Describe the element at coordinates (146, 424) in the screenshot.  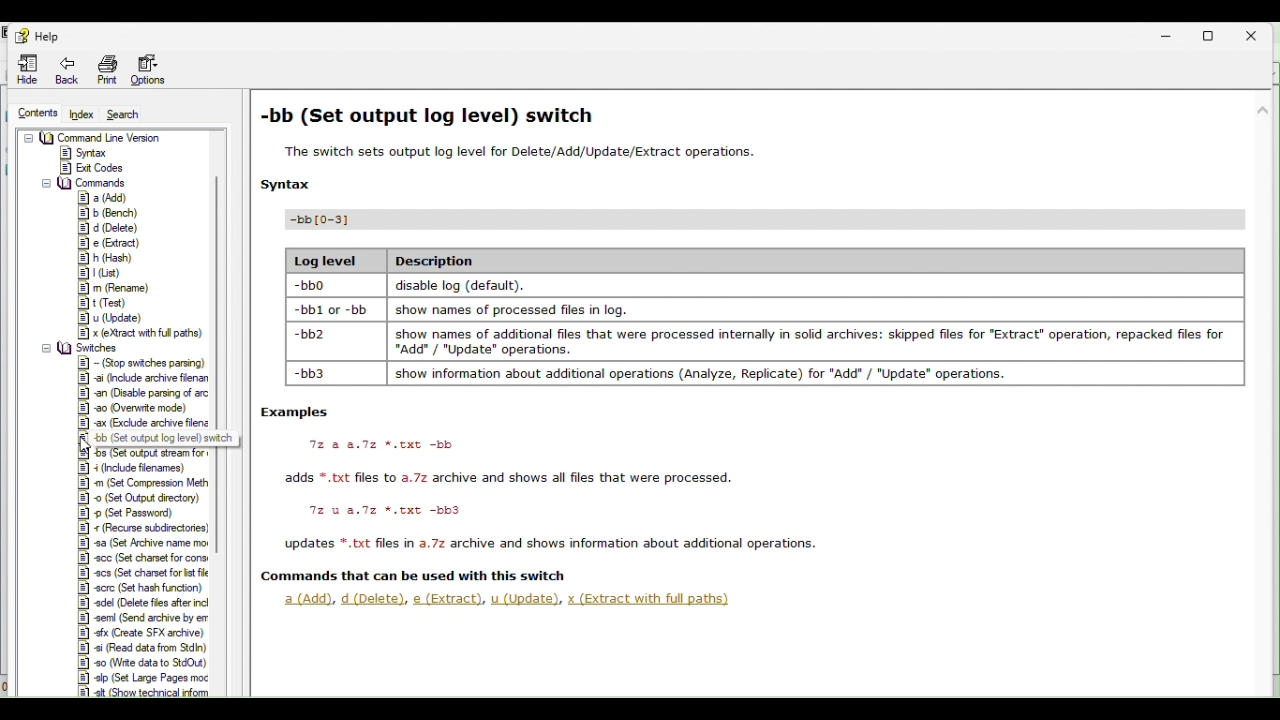
I see `&] ax (Exclude archive filen:` at that location.